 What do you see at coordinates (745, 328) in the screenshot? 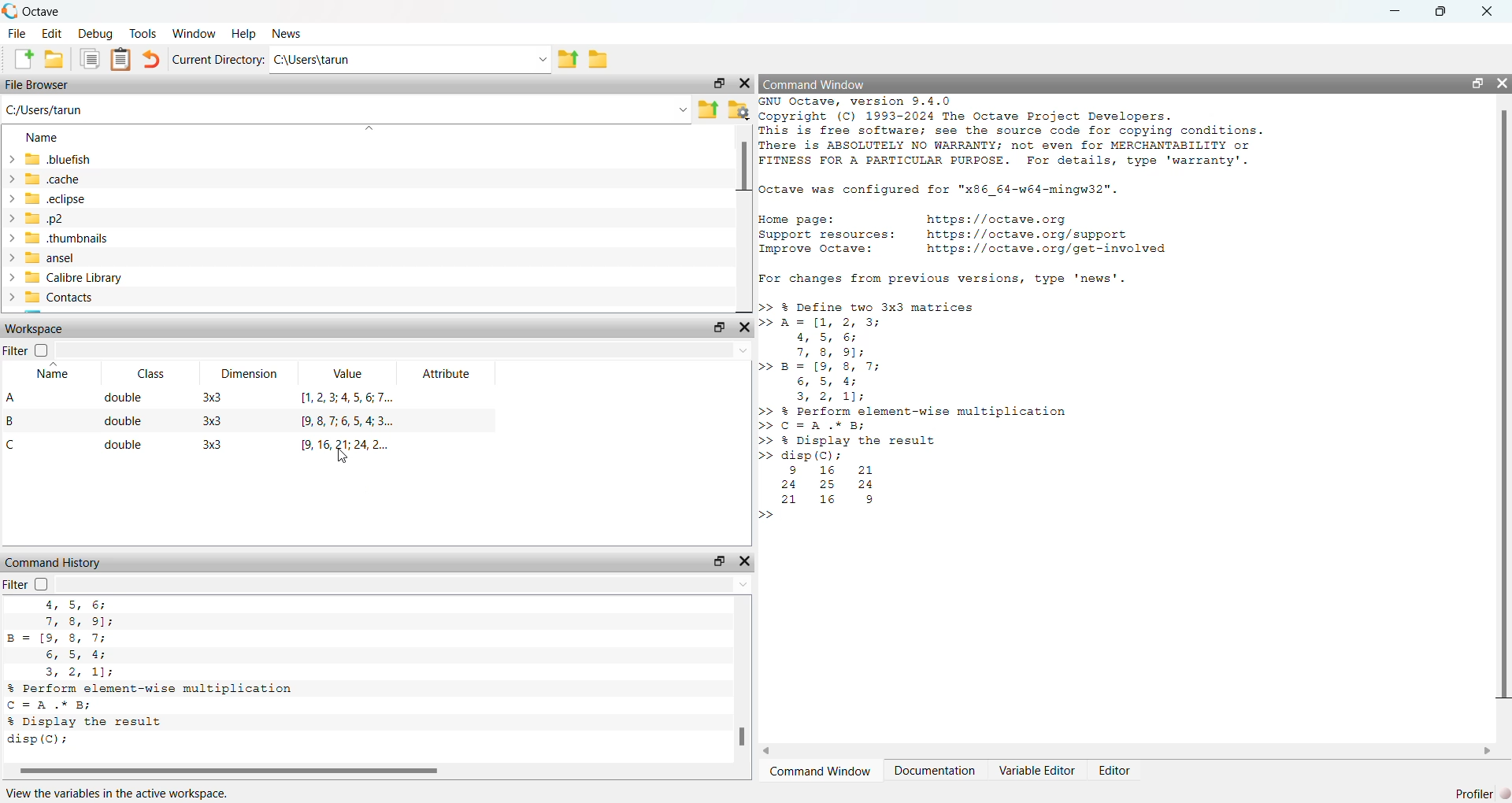
I see `Close` at bounding box center [745, 328].